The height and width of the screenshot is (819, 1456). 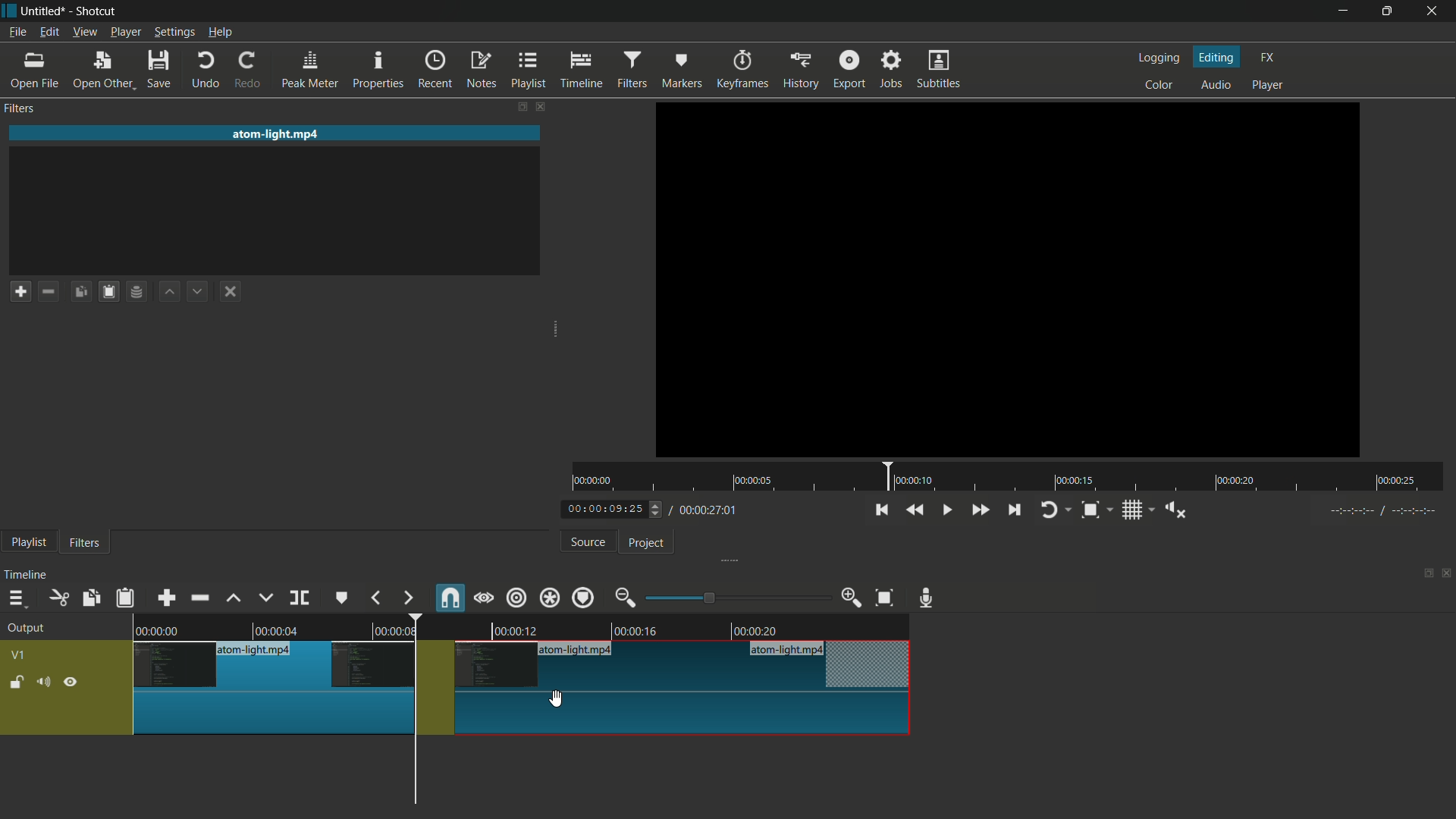 I want to click on copy checked filters, so click(x=93, y=598).